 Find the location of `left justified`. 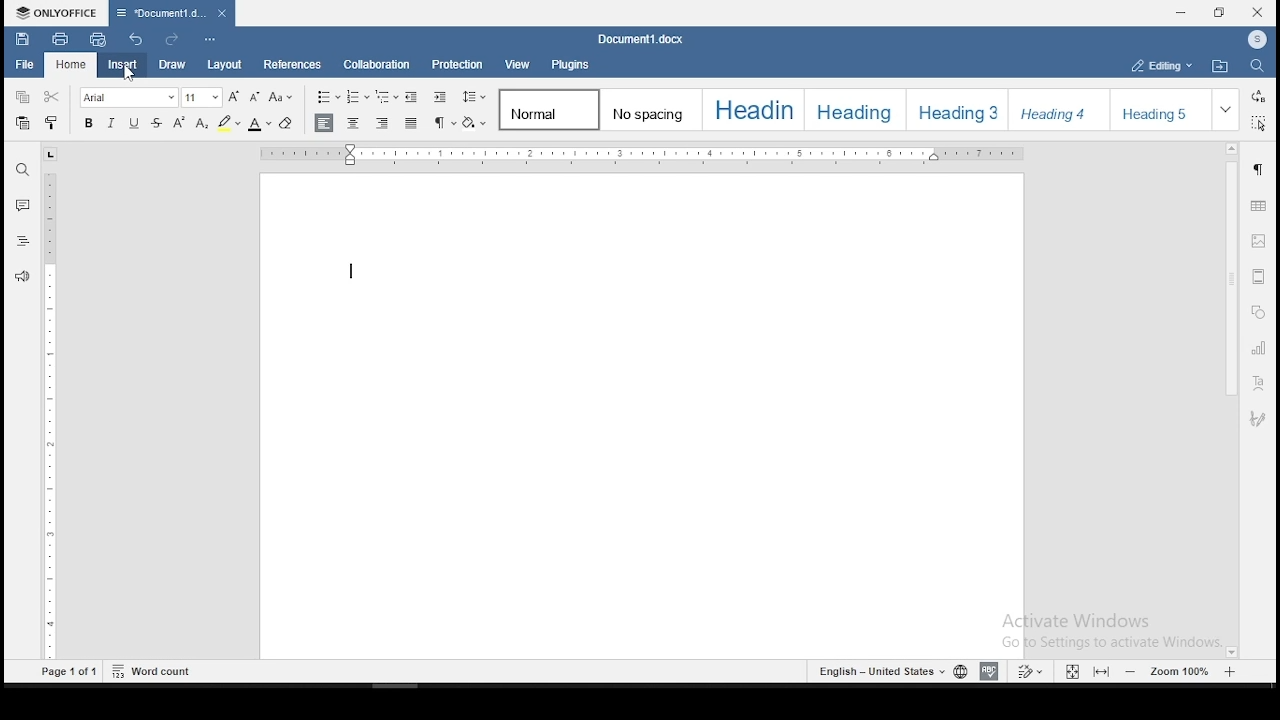

left justified is located at coordinates (325, 123).